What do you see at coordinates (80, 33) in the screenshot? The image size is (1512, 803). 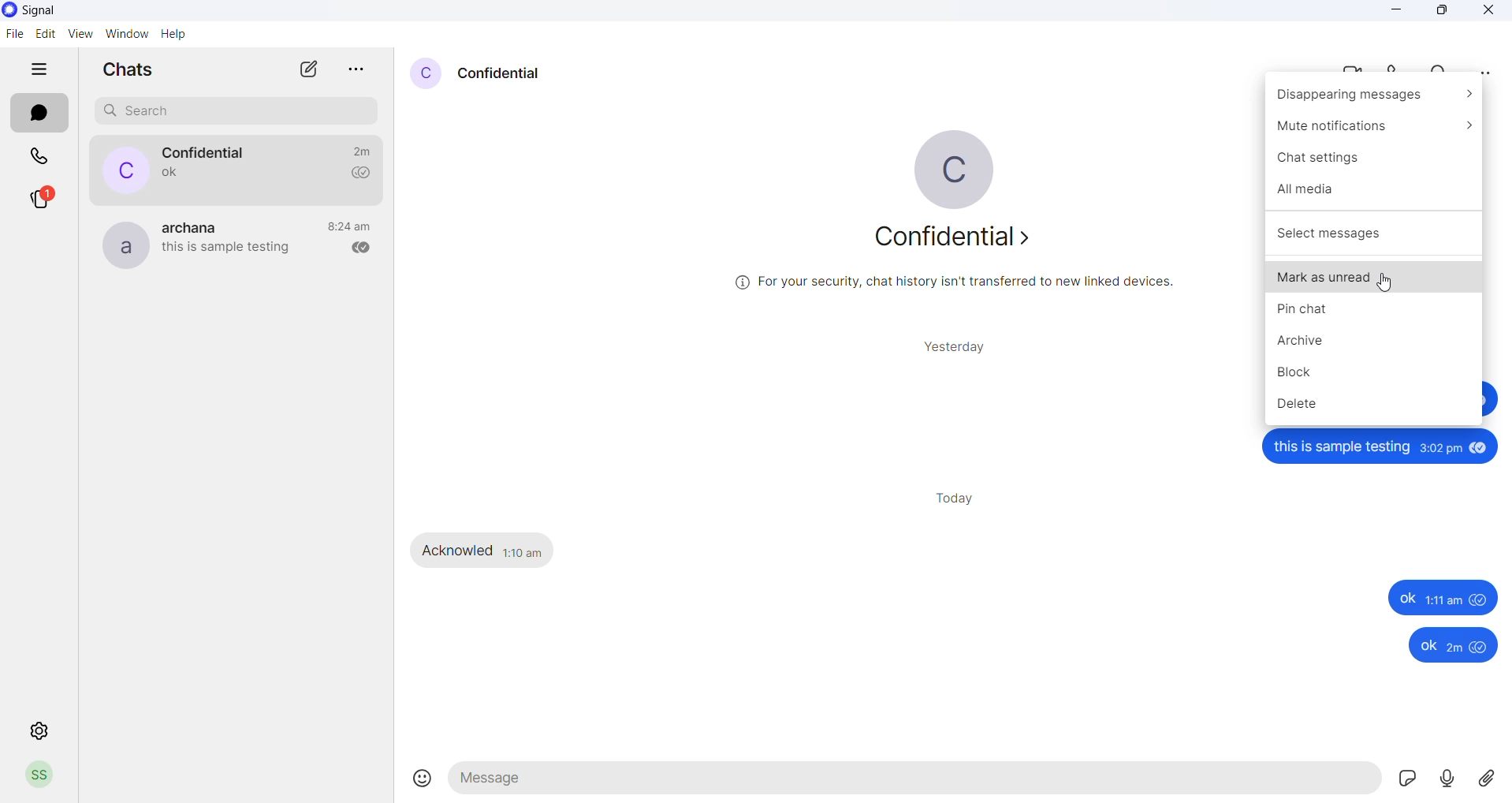 I see `view` at bounding box center [80, 33].